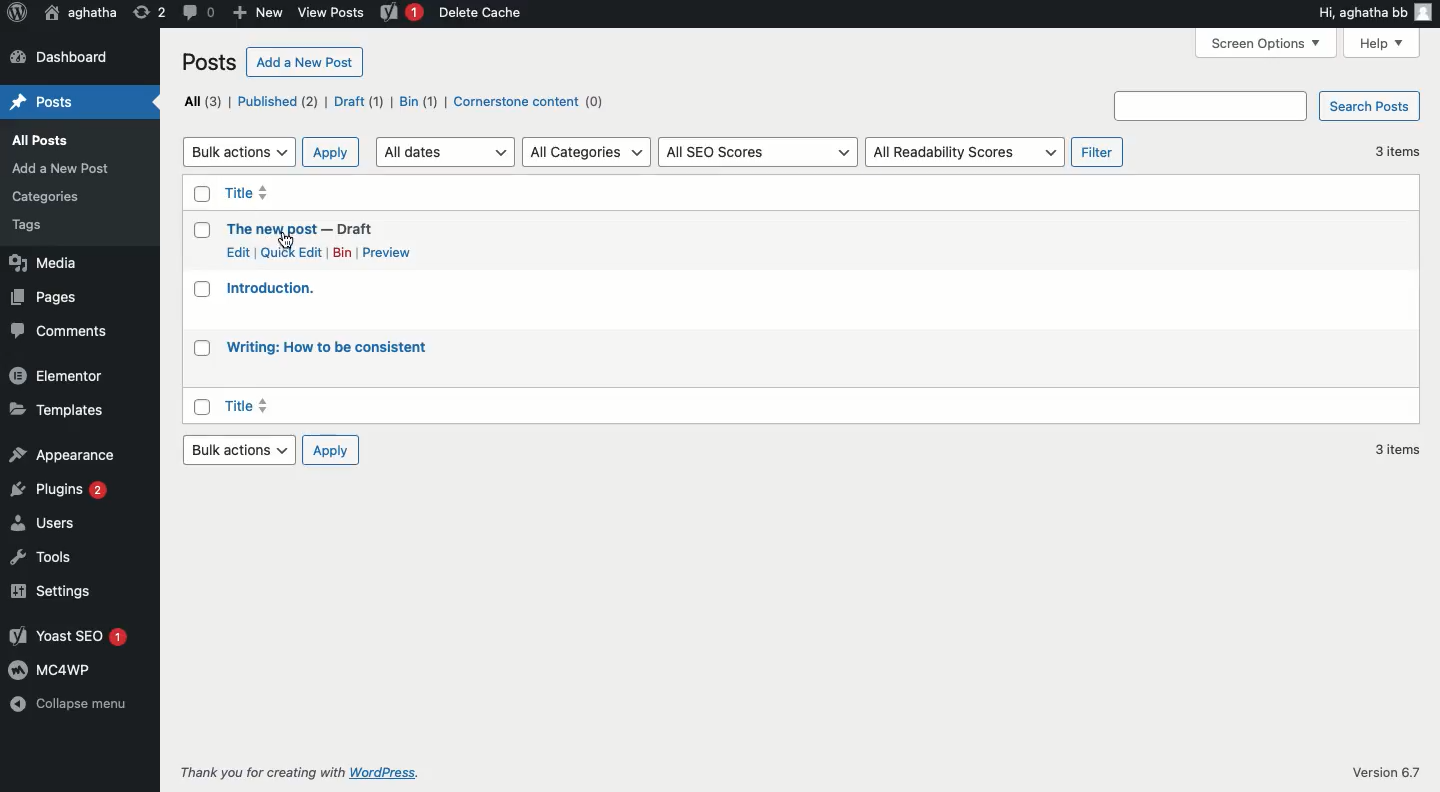 The height and width of the screenshot is (792, 1440). I want to click on mcawp, so click(59, 670).